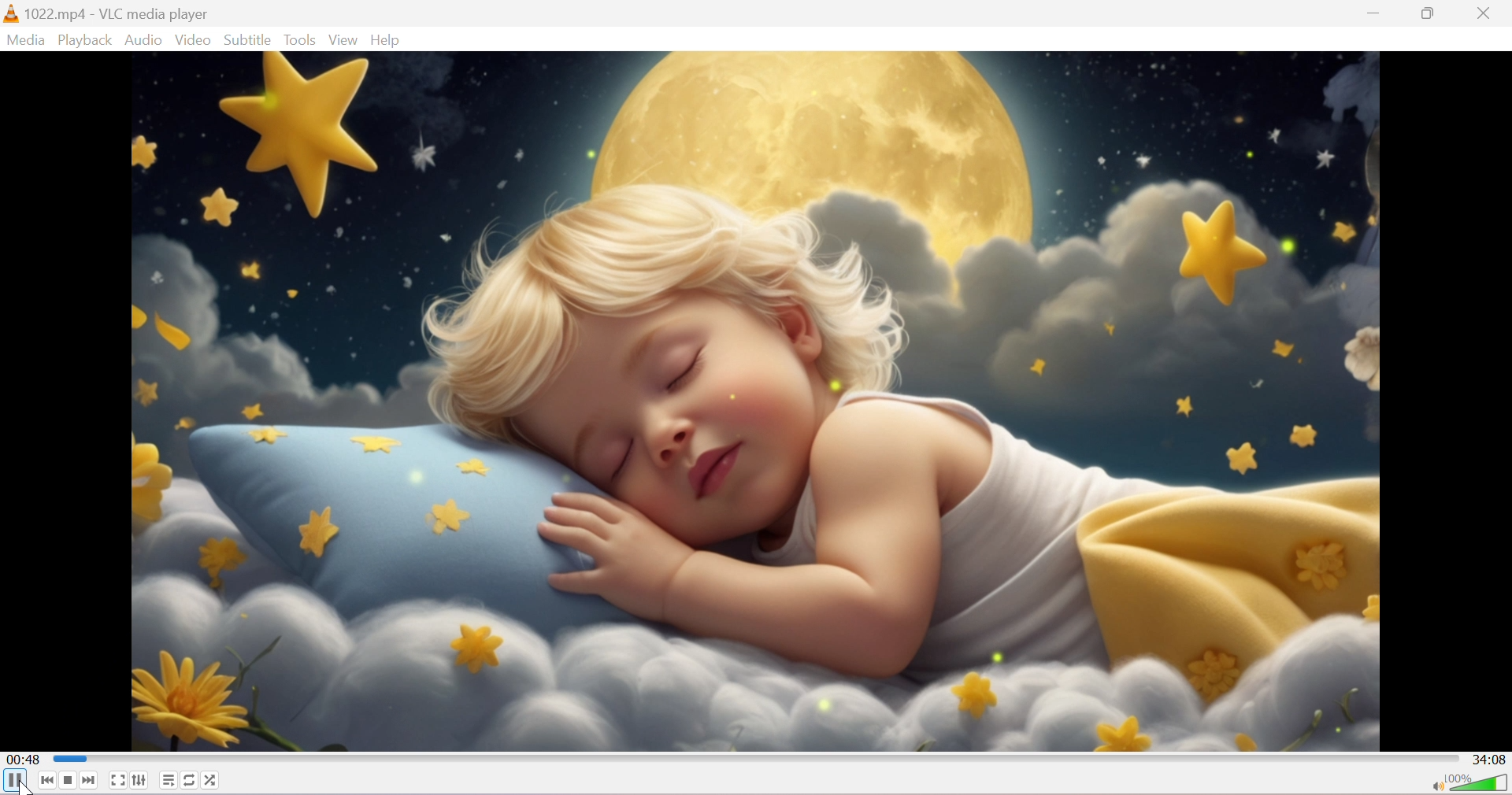 The height and width of the screenshot is (795, 1512). Describe the element at coordinates (26, 758) in the screenshot. I see `00:48` at that location.